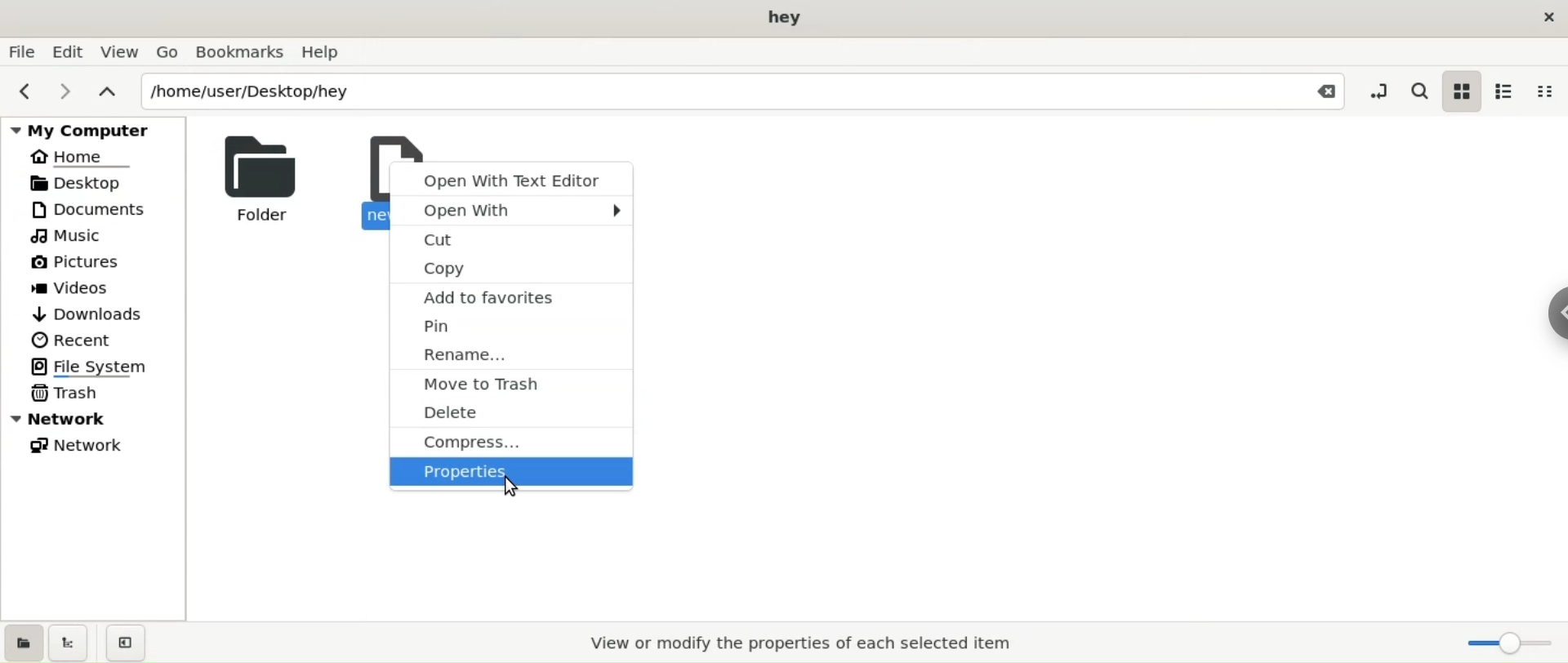  What do you see at coordinates (1423, 89) in the screenshot?
I see `search` at bounding box center [1423, 89].